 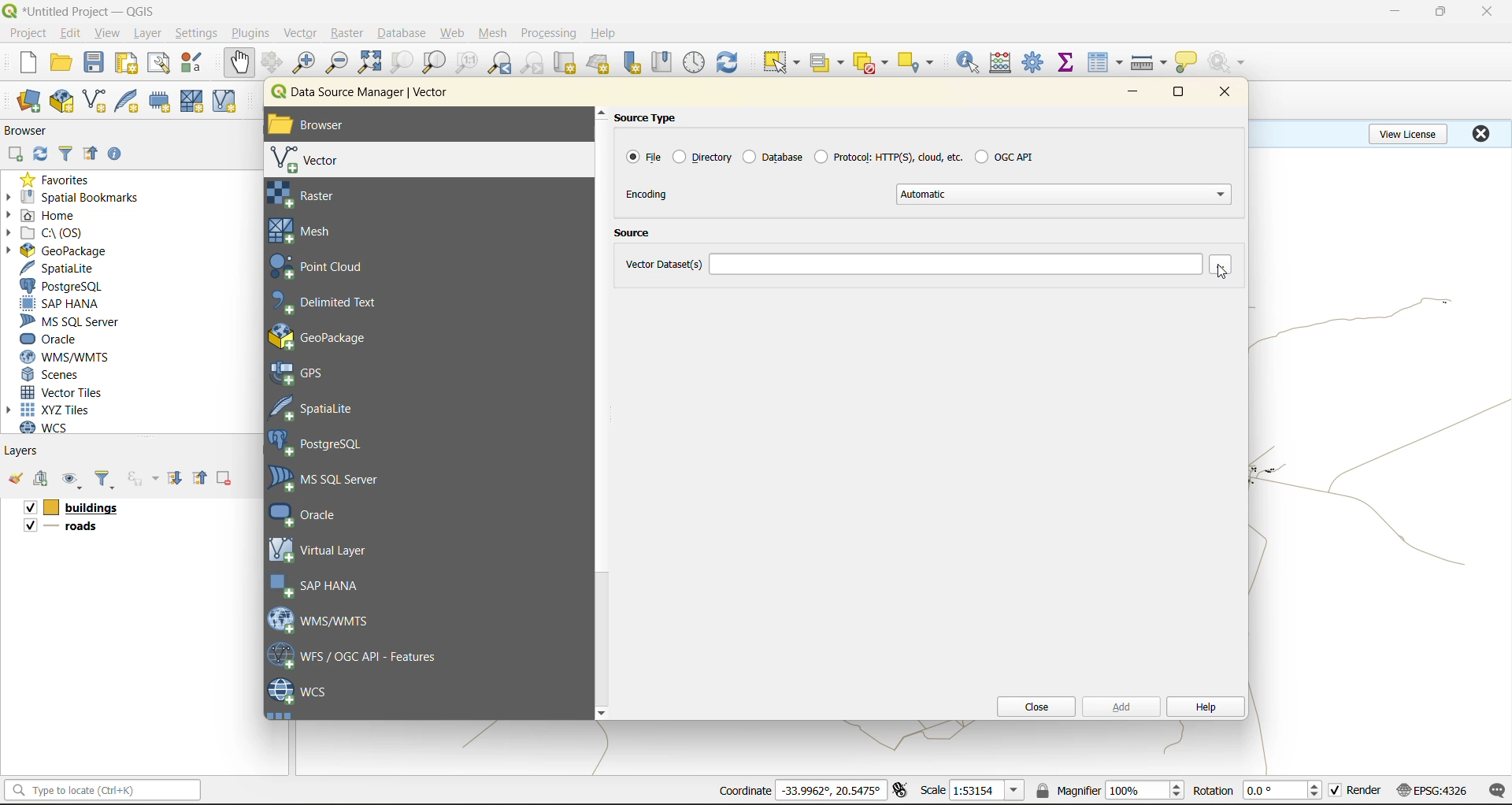 I want to click on pan map, so click(x=239, y=63).